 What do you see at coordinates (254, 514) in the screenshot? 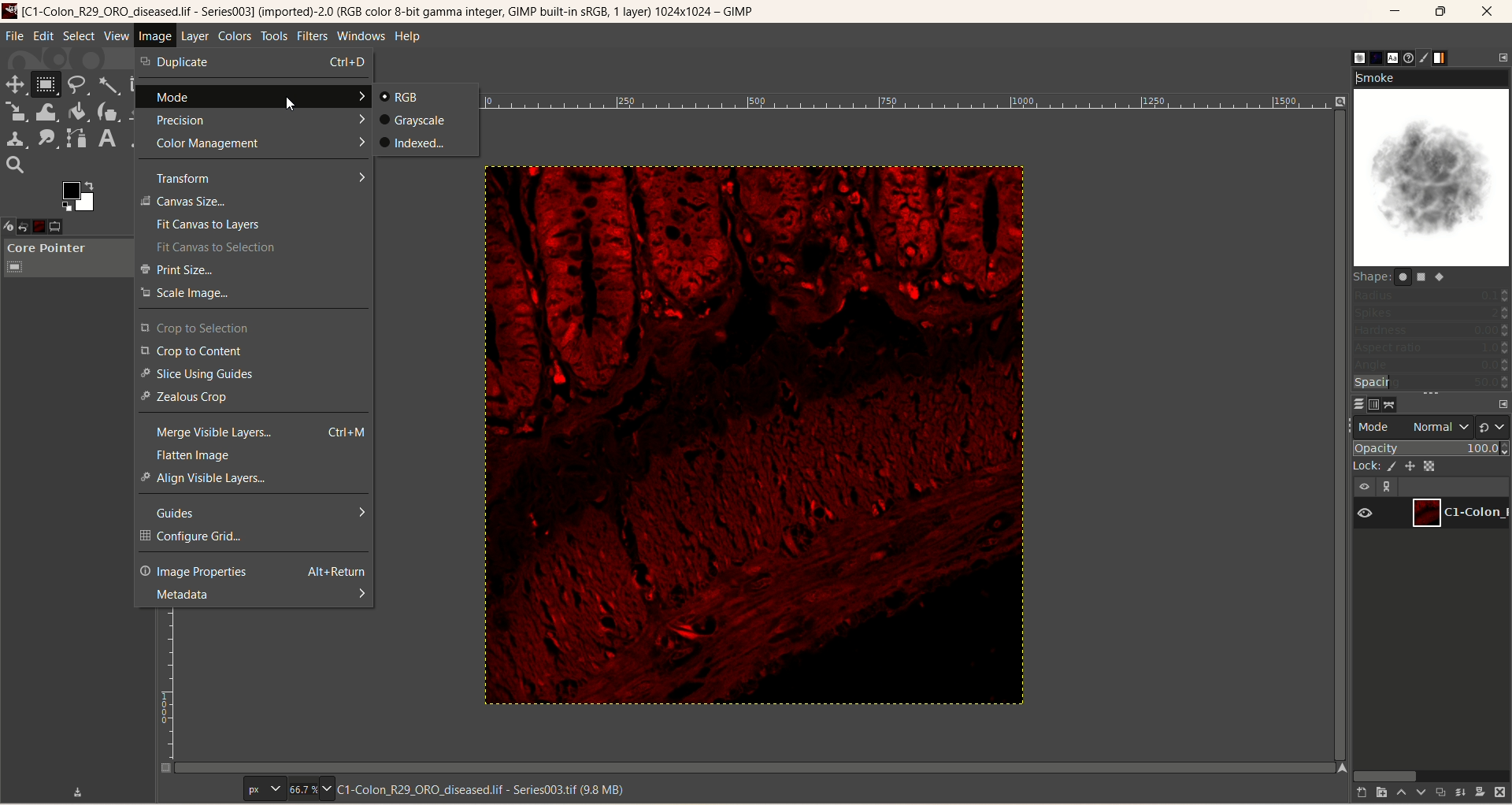
I see `guides` at bounding box center [254, 514].